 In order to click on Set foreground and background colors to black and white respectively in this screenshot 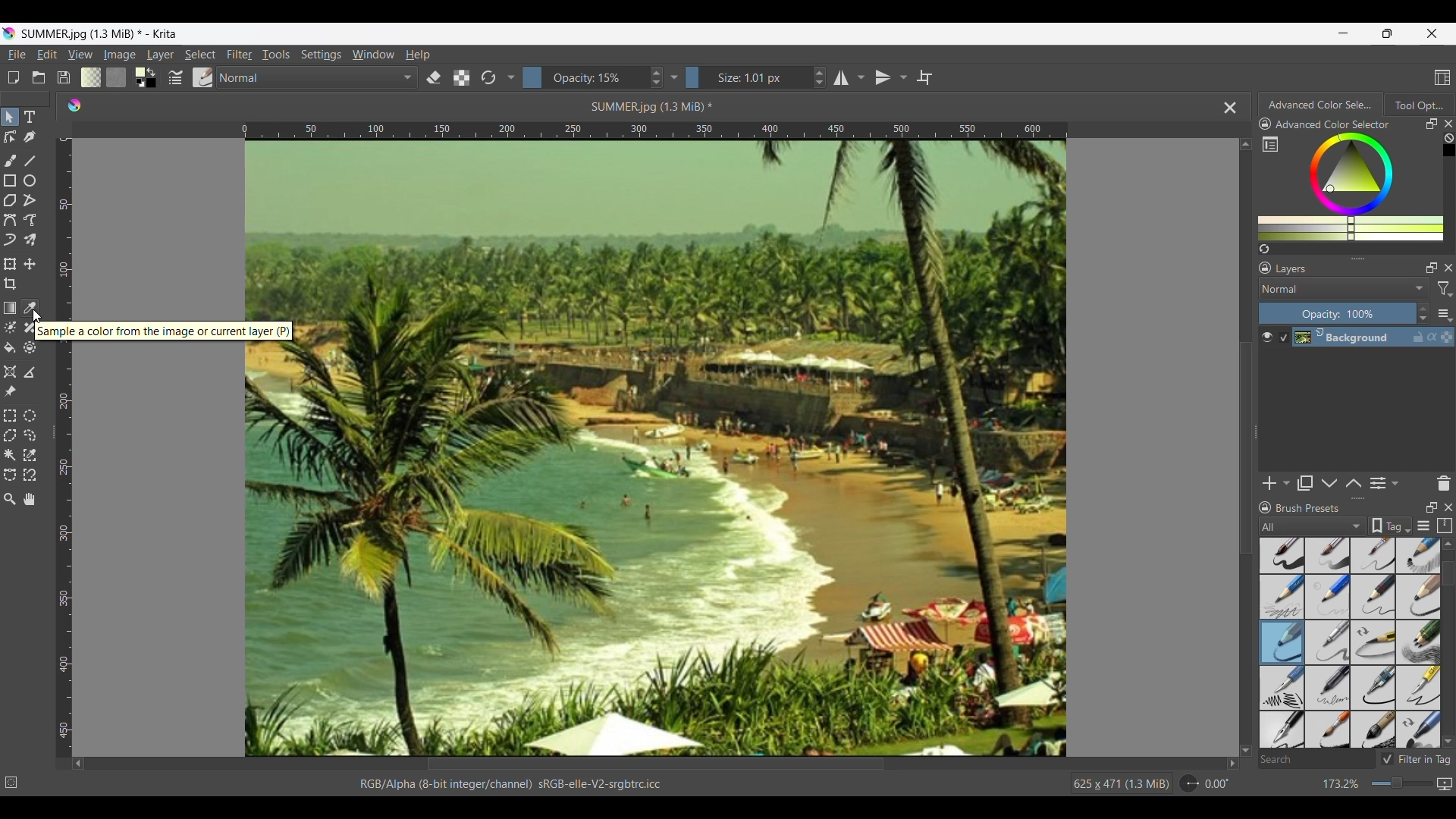, I will do `click(137, 84)`.